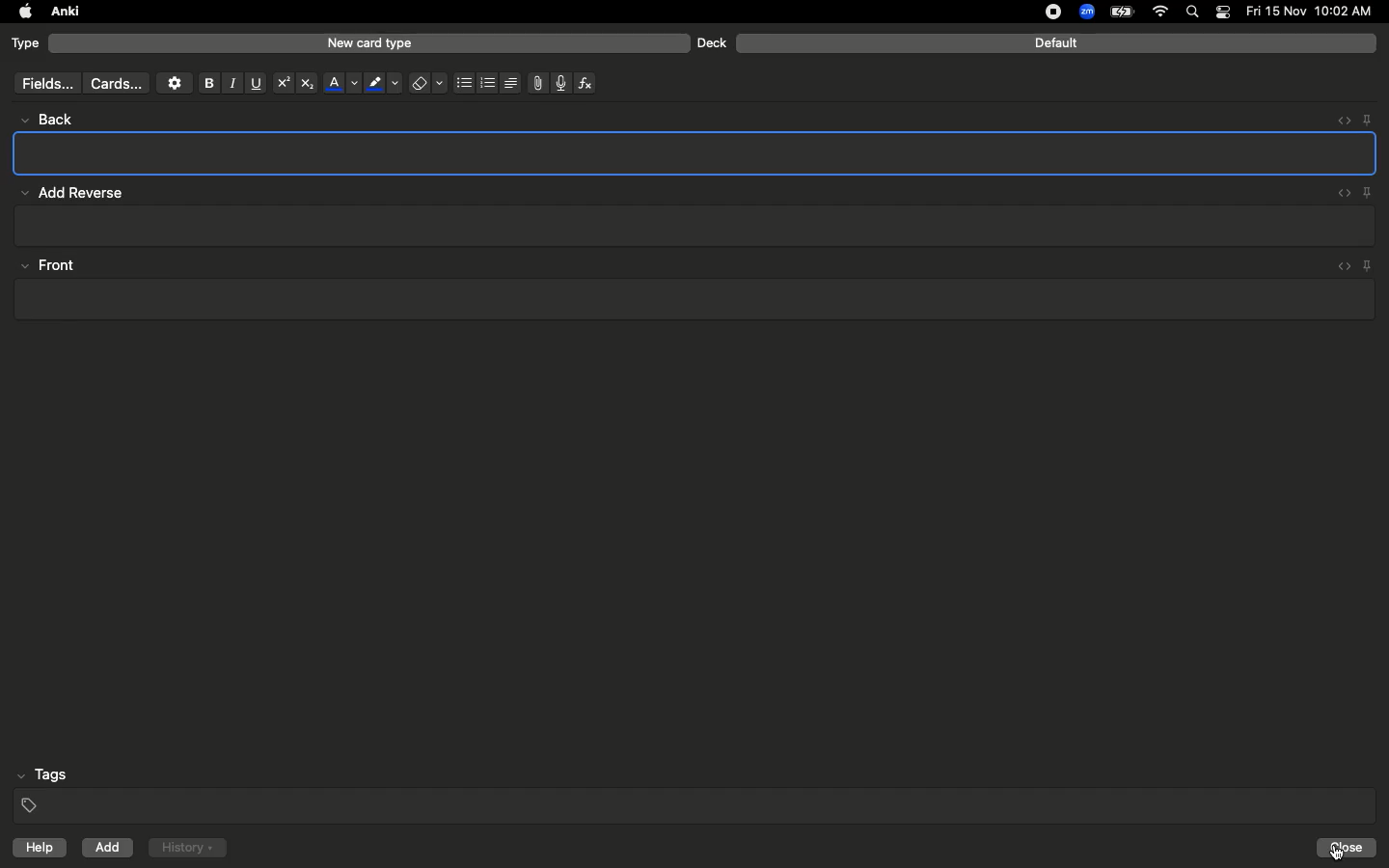 This screenshot has width=1389, height=868. Describe the element at coordinates (307, 84) in the screenshot. I see `Subscript` at that location.